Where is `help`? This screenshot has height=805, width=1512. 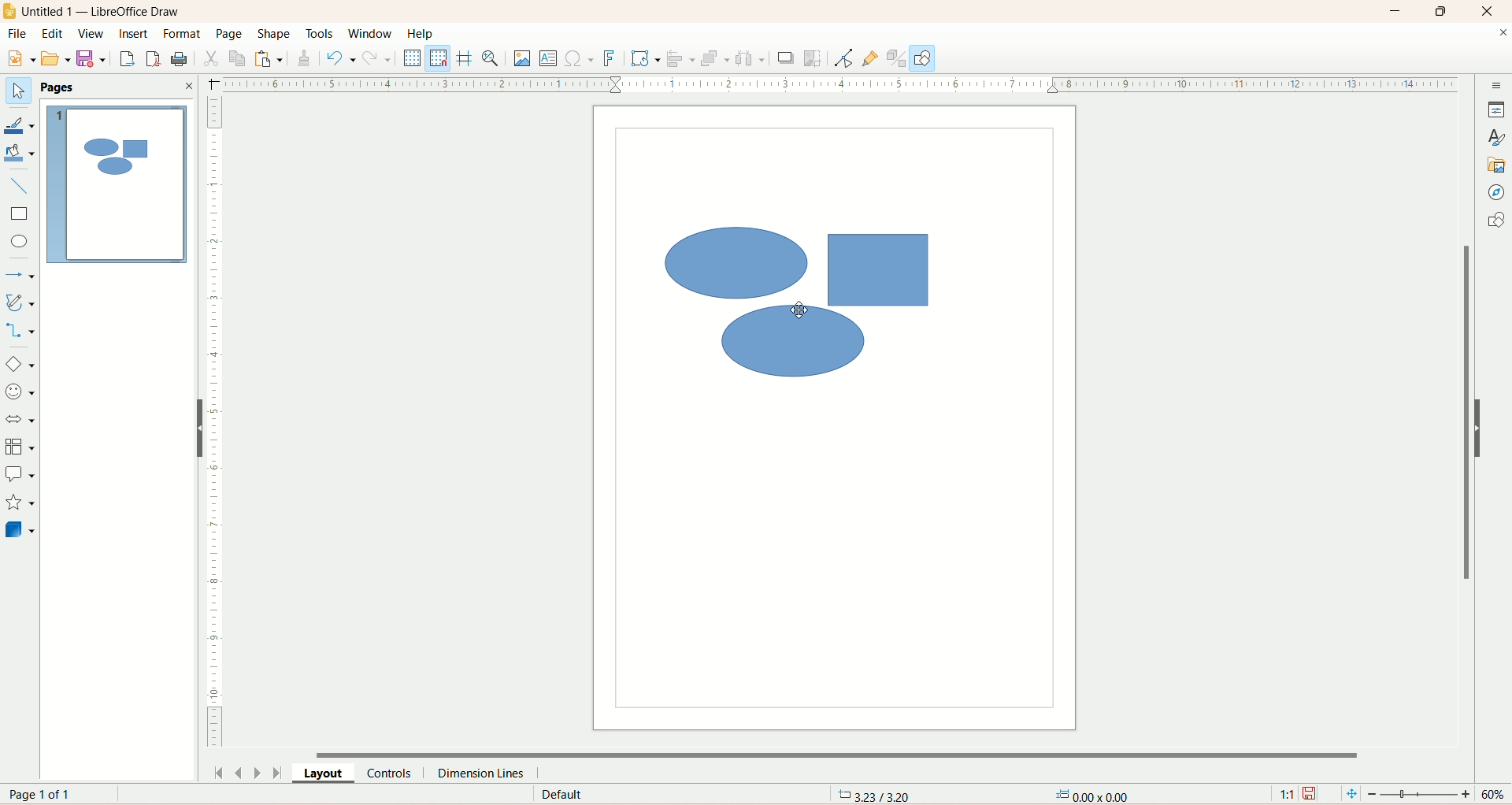
help is located at coordinates (421, 33).